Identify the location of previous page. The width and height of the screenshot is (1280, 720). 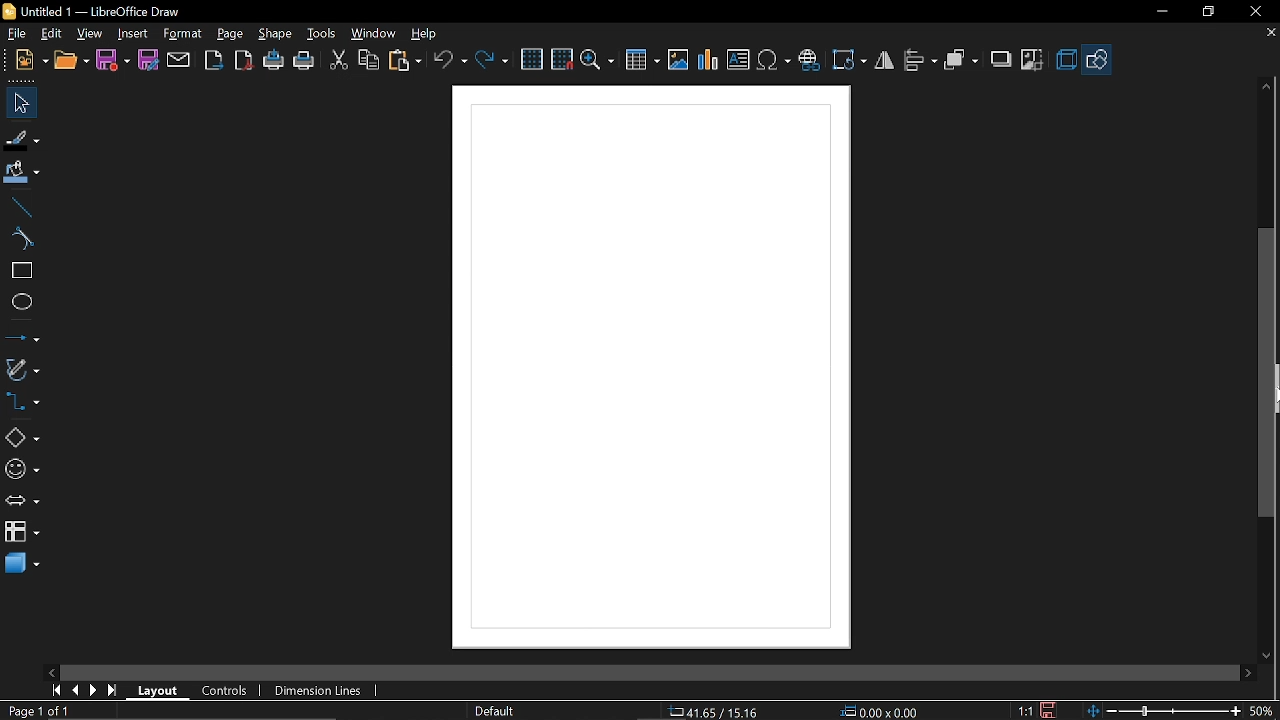
(75, 691).